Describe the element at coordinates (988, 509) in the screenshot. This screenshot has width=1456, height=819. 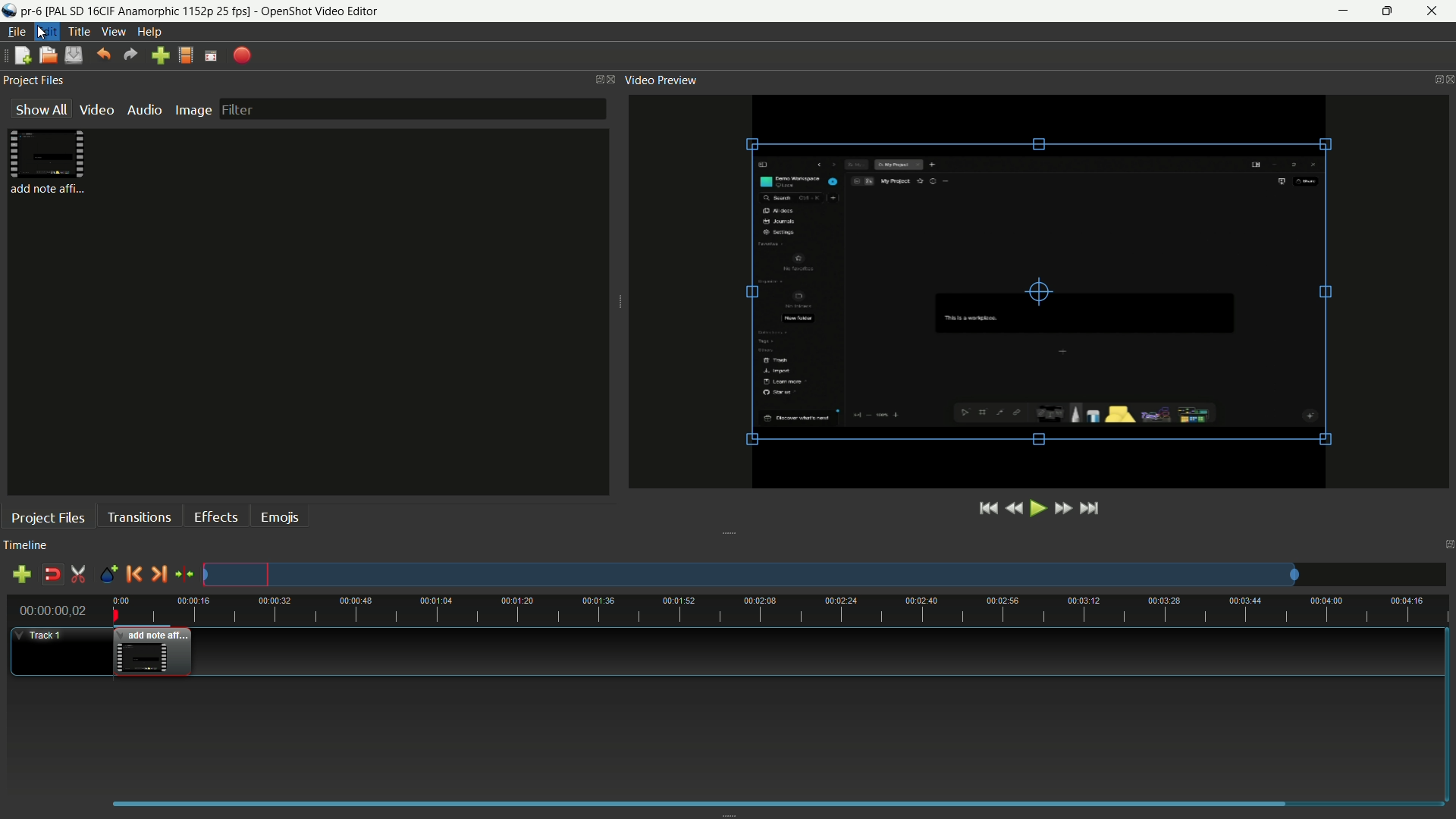
I see `jump to start` at that location.